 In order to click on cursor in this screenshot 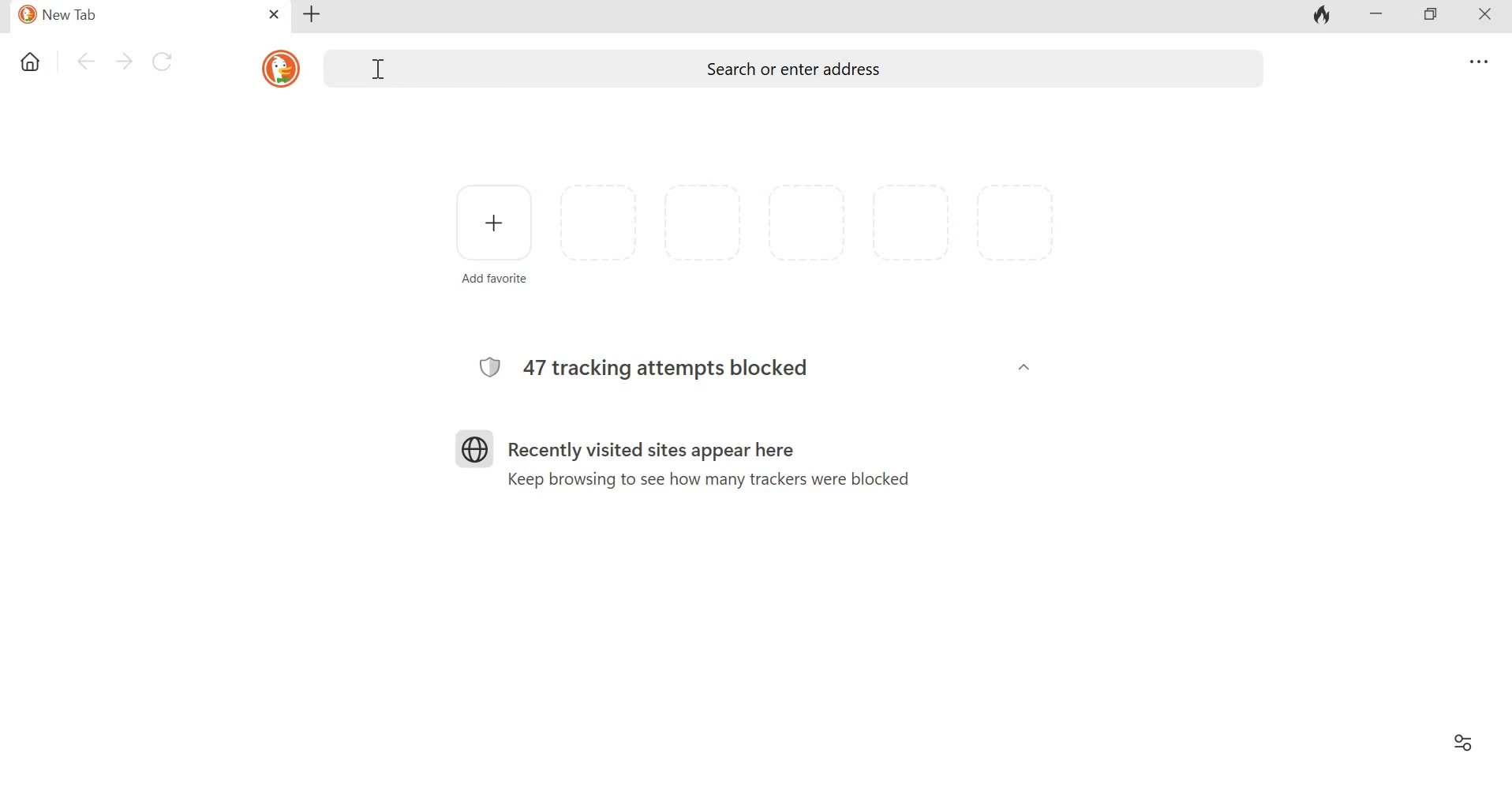, I will do `click(376, 69)`.